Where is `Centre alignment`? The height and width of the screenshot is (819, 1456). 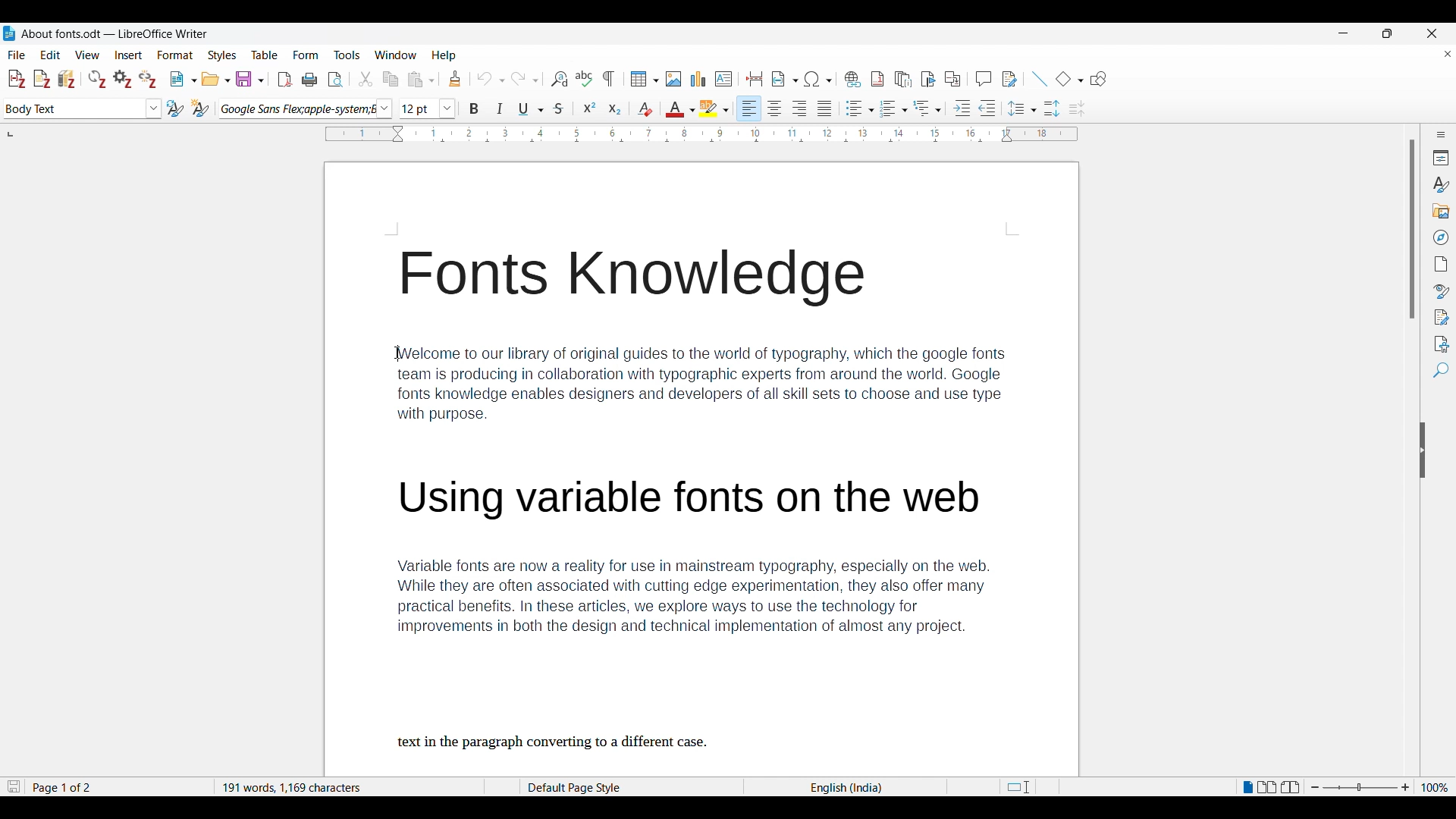 Centre alignment is located at coordinates (774, 108).